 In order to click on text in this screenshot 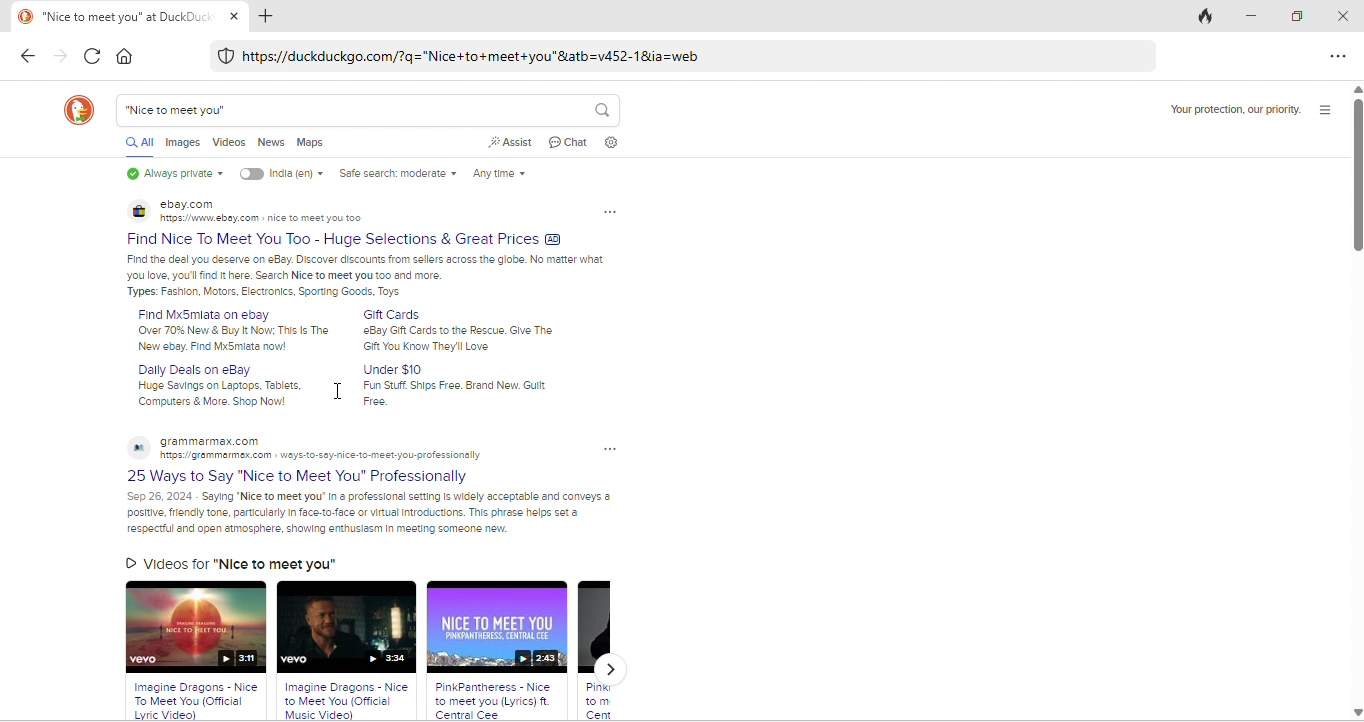, I will do `click(195, 369)`.